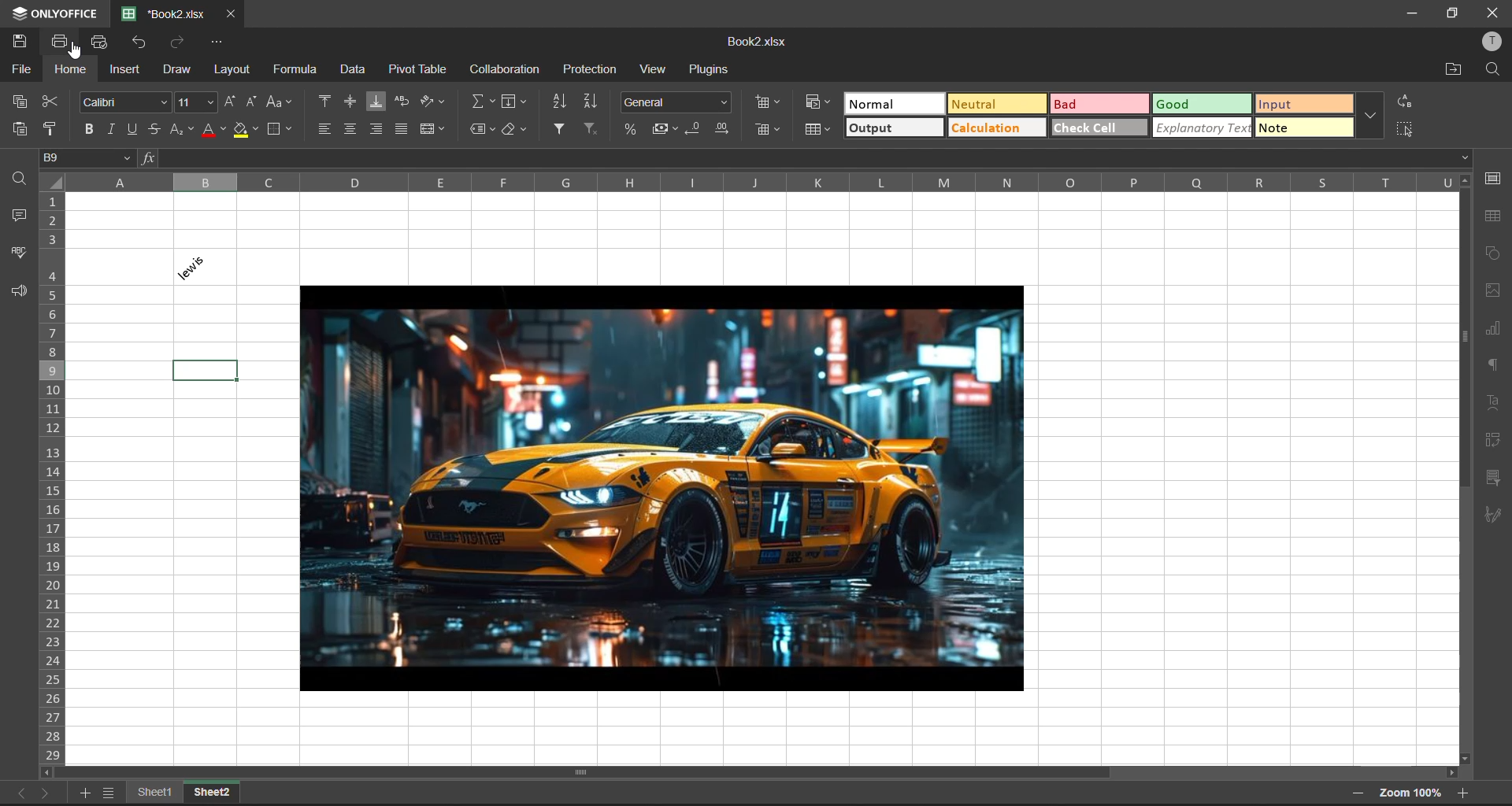 Image resolution: width=1512 pixels, height=806 pixels. Describe the element at coordinates (22, 252) in the screenshot. I see `spellcheck` at that location.